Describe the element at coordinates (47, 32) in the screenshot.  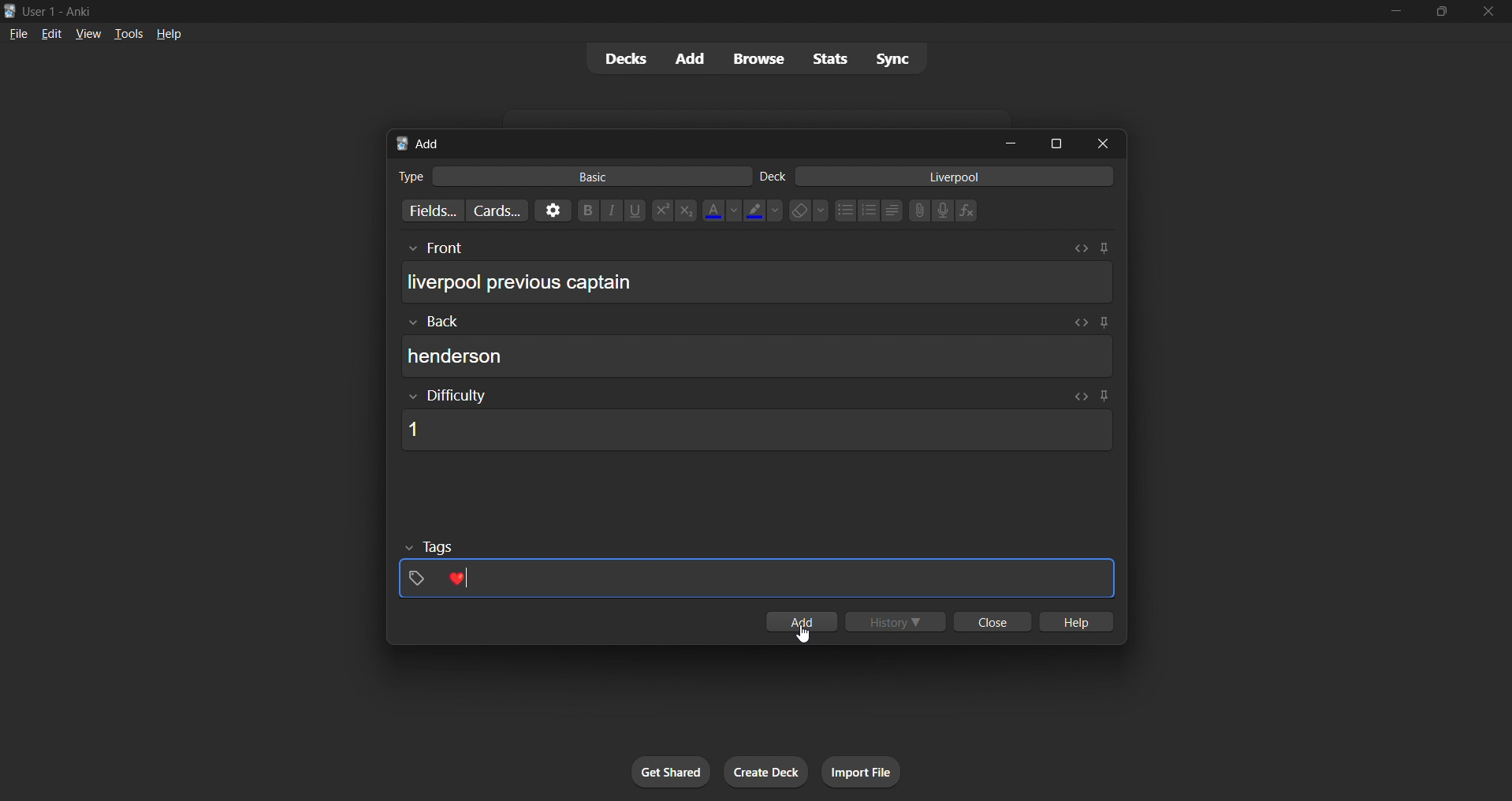
I see `edit` at that location.